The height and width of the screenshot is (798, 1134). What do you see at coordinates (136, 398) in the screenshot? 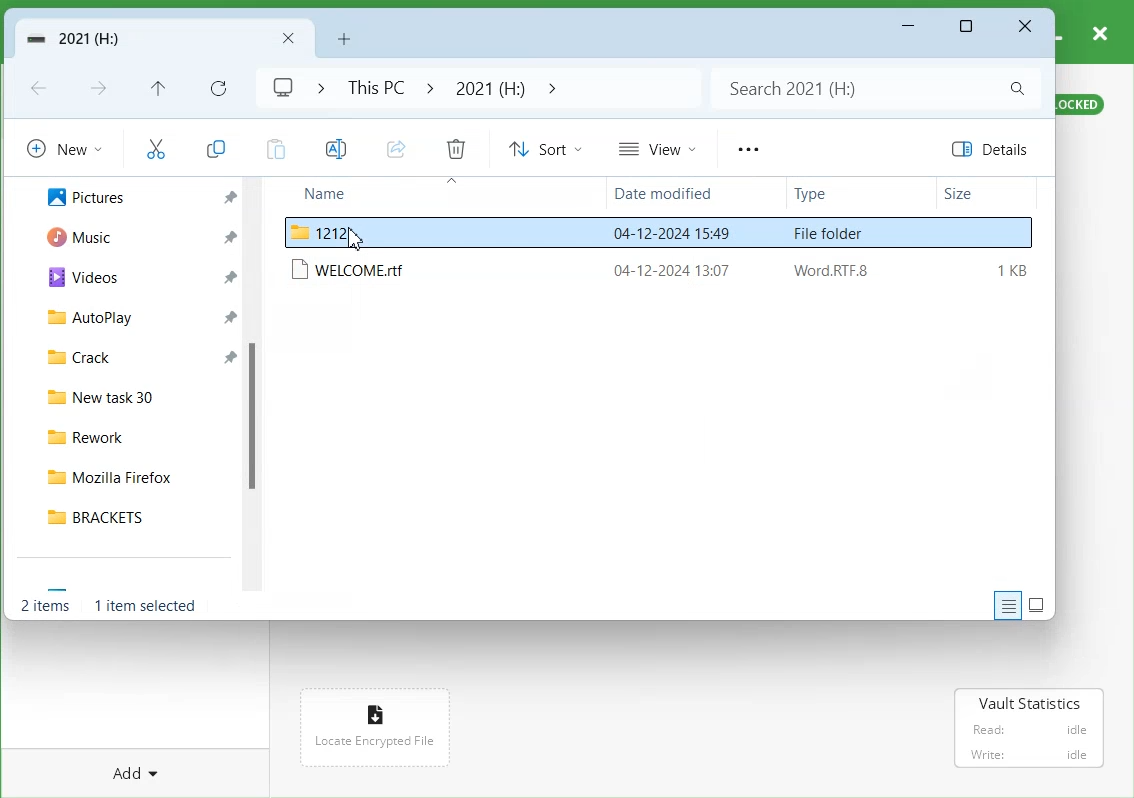
I see `New task 30` at bounding box center [136, 398].